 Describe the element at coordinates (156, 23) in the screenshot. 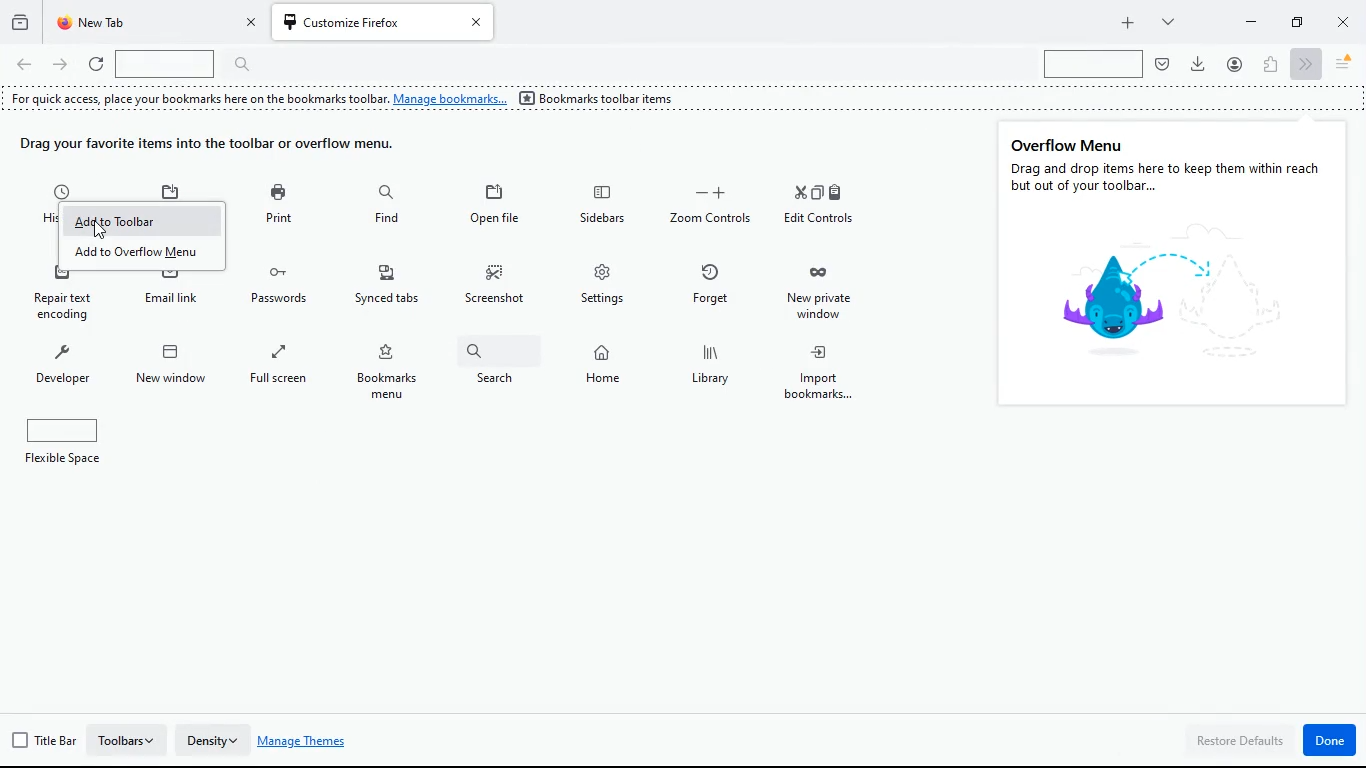

I see `tab` at that location.